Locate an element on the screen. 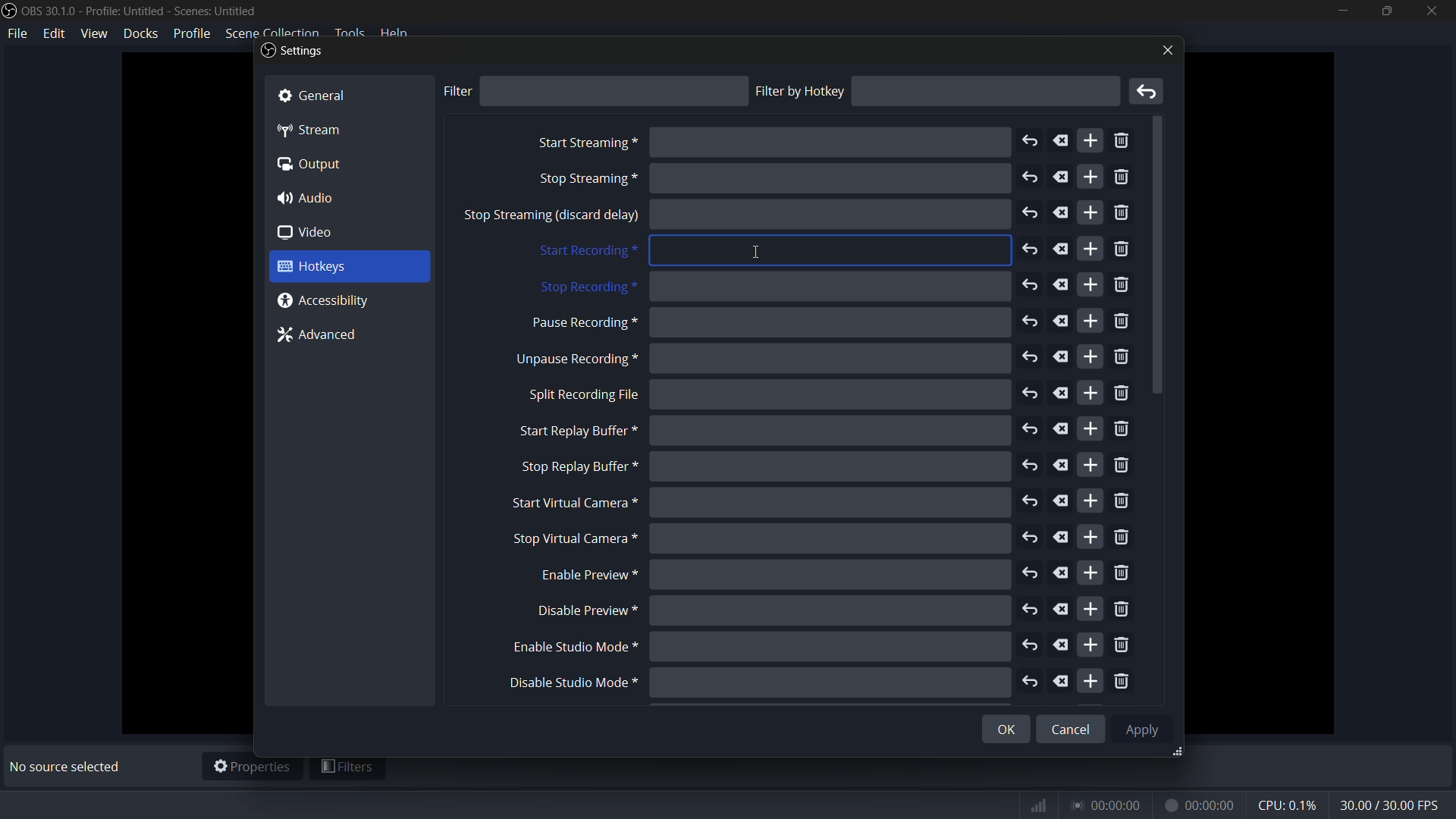 The image size is (1456, 819). undo is located at coordinates (1031, 358).